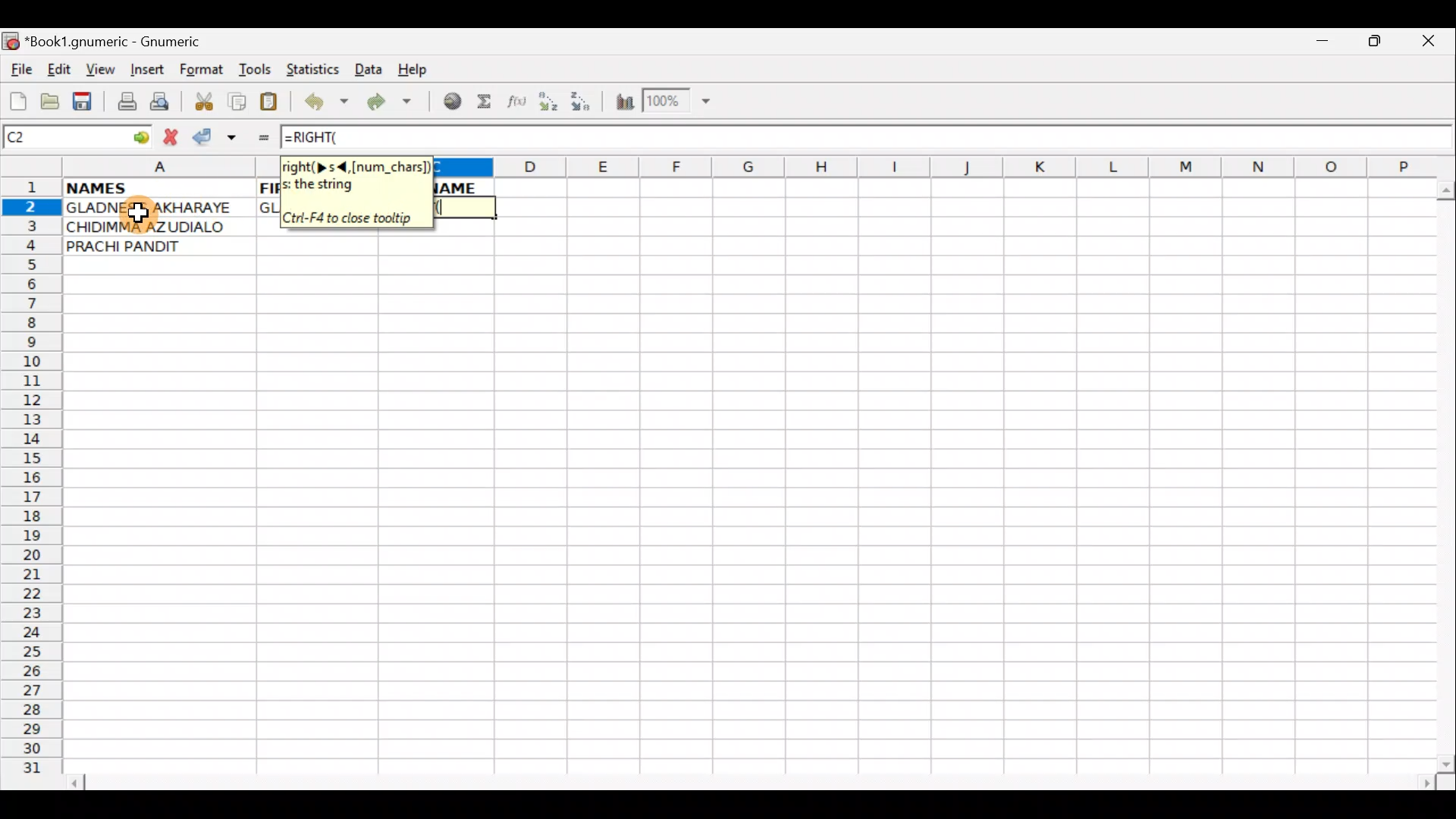 This screenshot has height=819, width=1456. I want to click on Sort Descending order, so click(585, 105).